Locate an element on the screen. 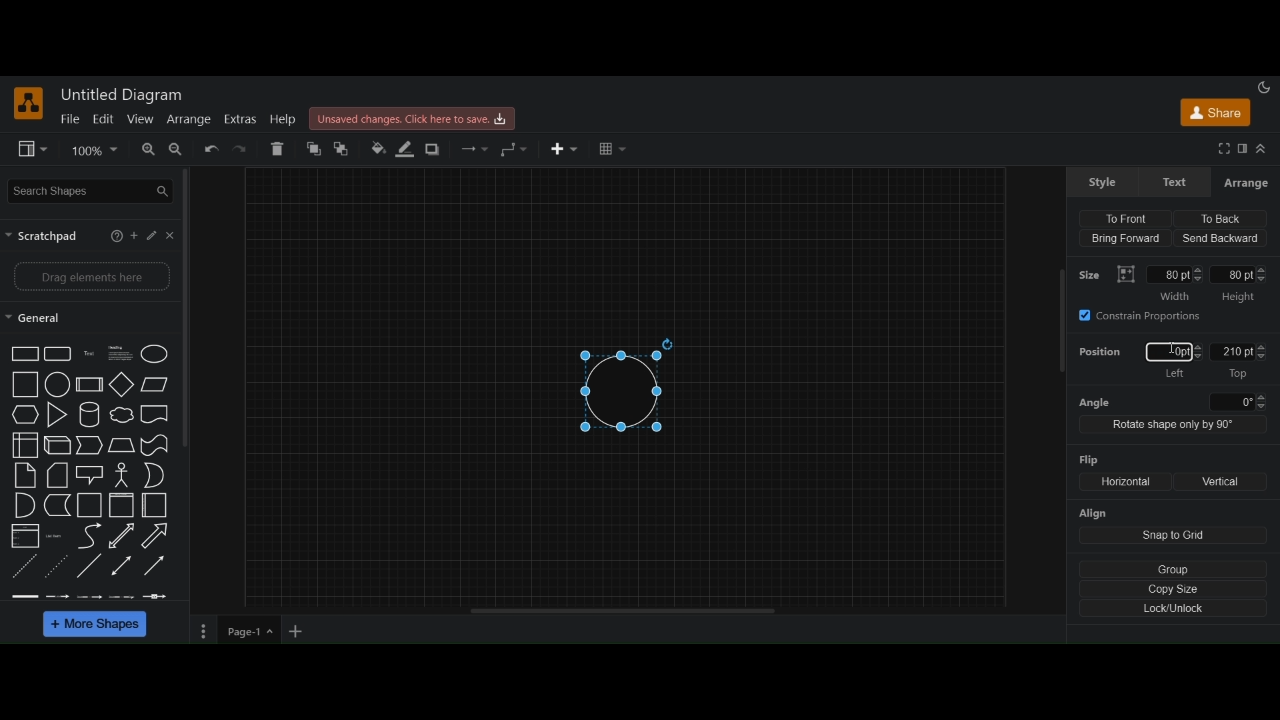 The image size is (1280, 720). rotate shape only bt 90 degree is located at coordinates (1171, 425).